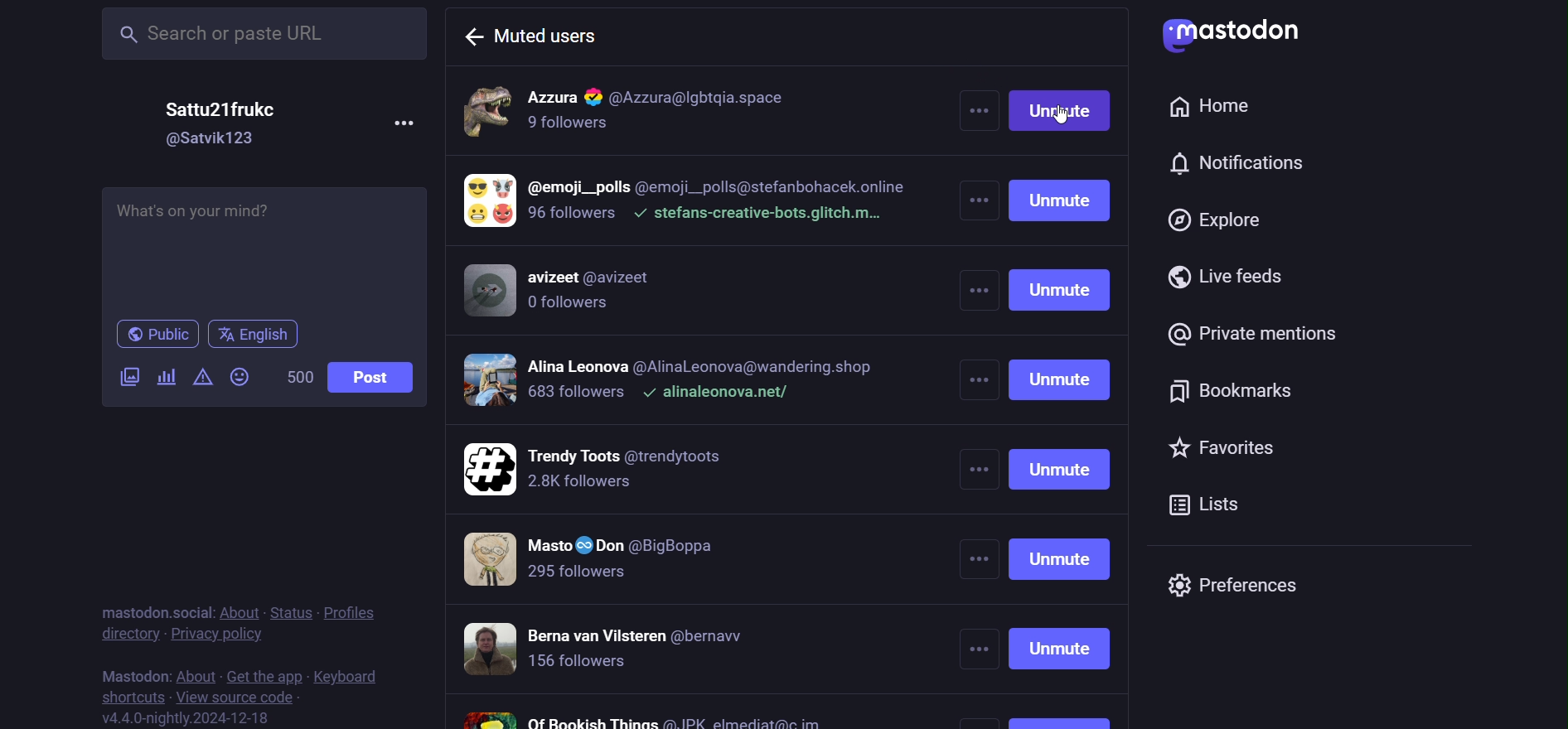  Describe the element at coordinates (1242, 587) in the screenshot. I see `preferences` at that location.